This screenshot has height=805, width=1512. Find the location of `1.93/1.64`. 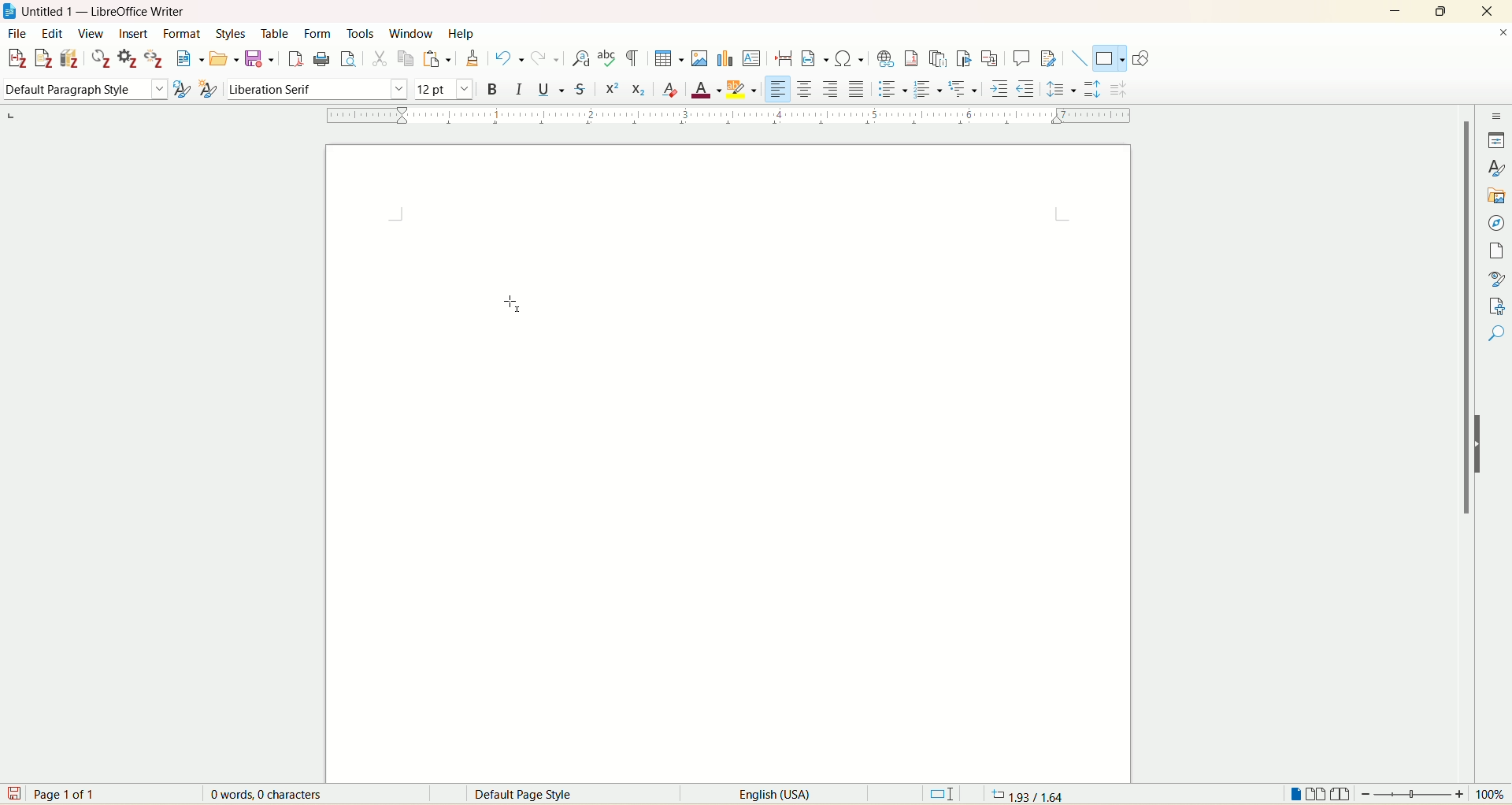

1.93/1.64 is located at coordinates (1032, 793).